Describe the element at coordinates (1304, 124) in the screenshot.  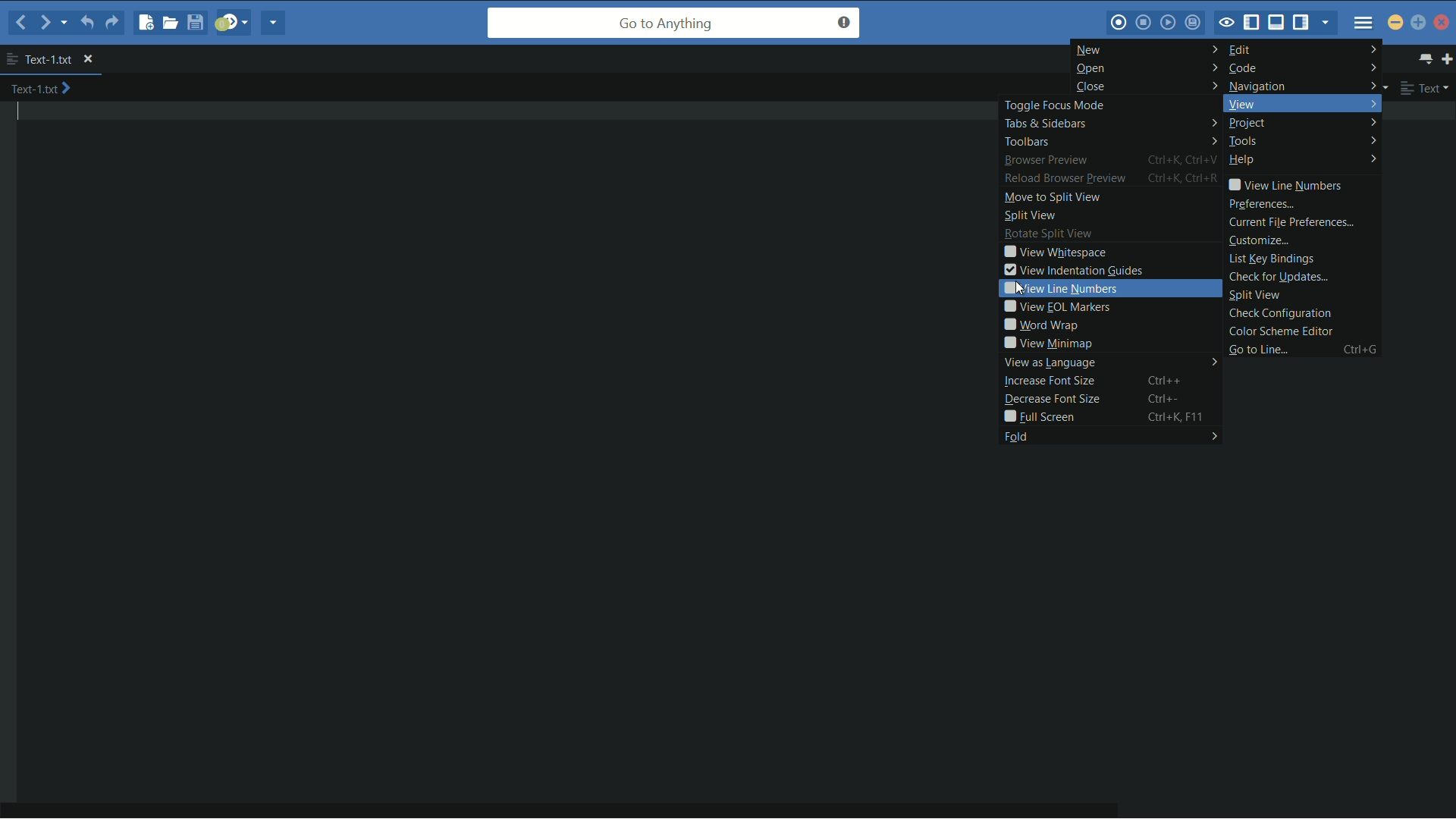
I see `project` at that location.